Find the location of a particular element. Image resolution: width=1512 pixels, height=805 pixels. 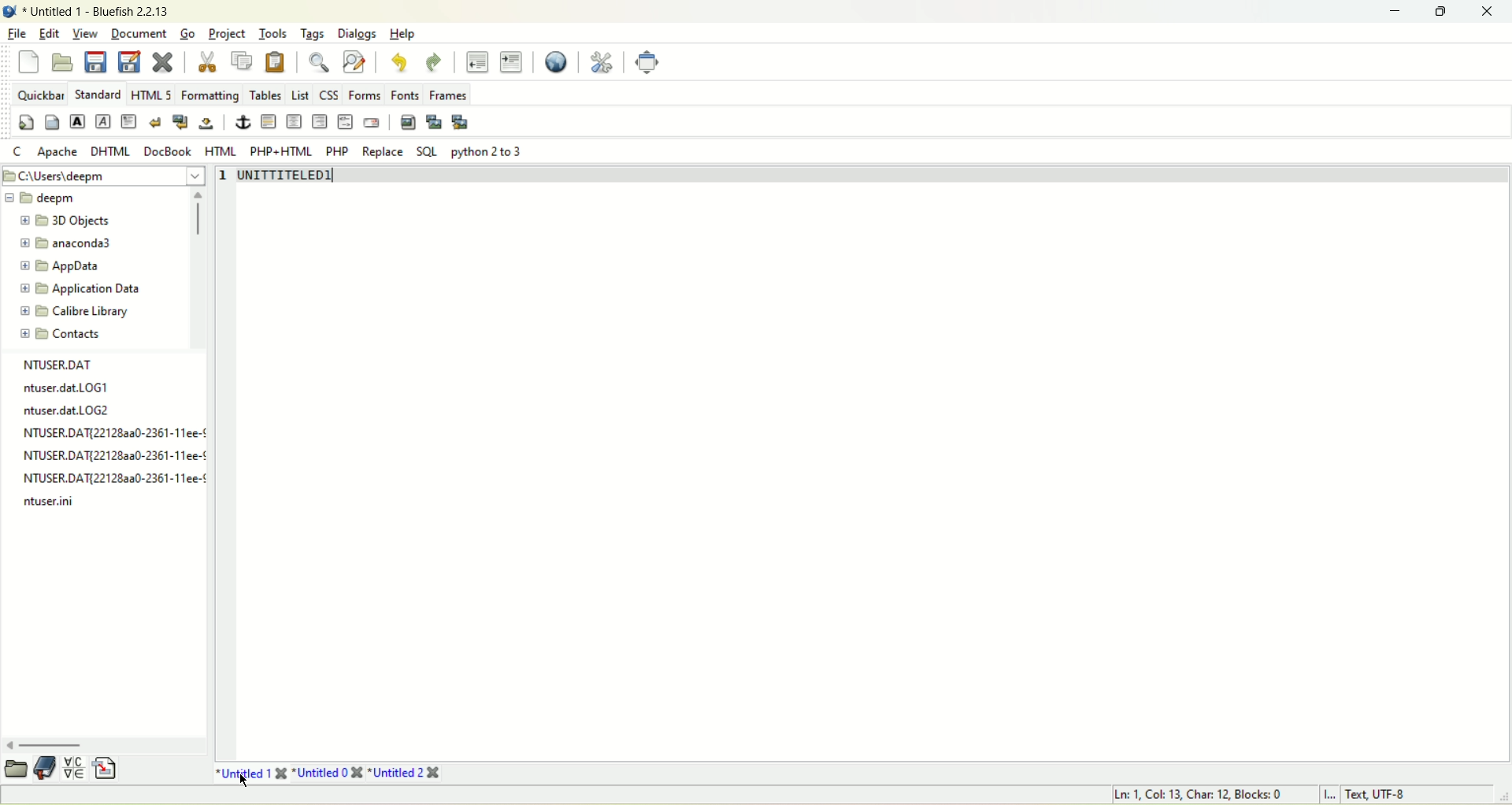

break is located at coordinates (155, 121).